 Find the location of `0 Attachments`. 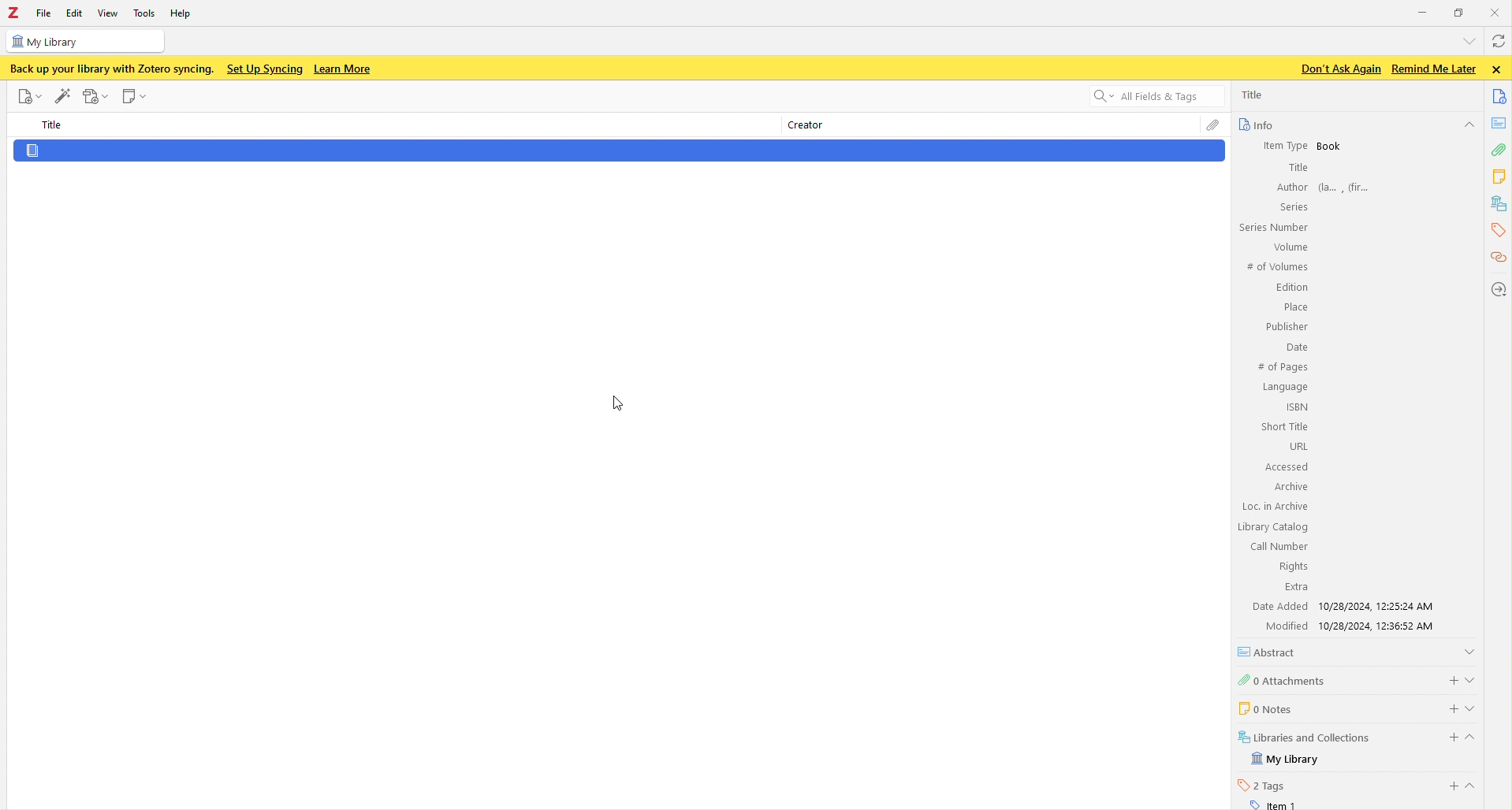

0 Attachments is located at coordinates (1283, 679).